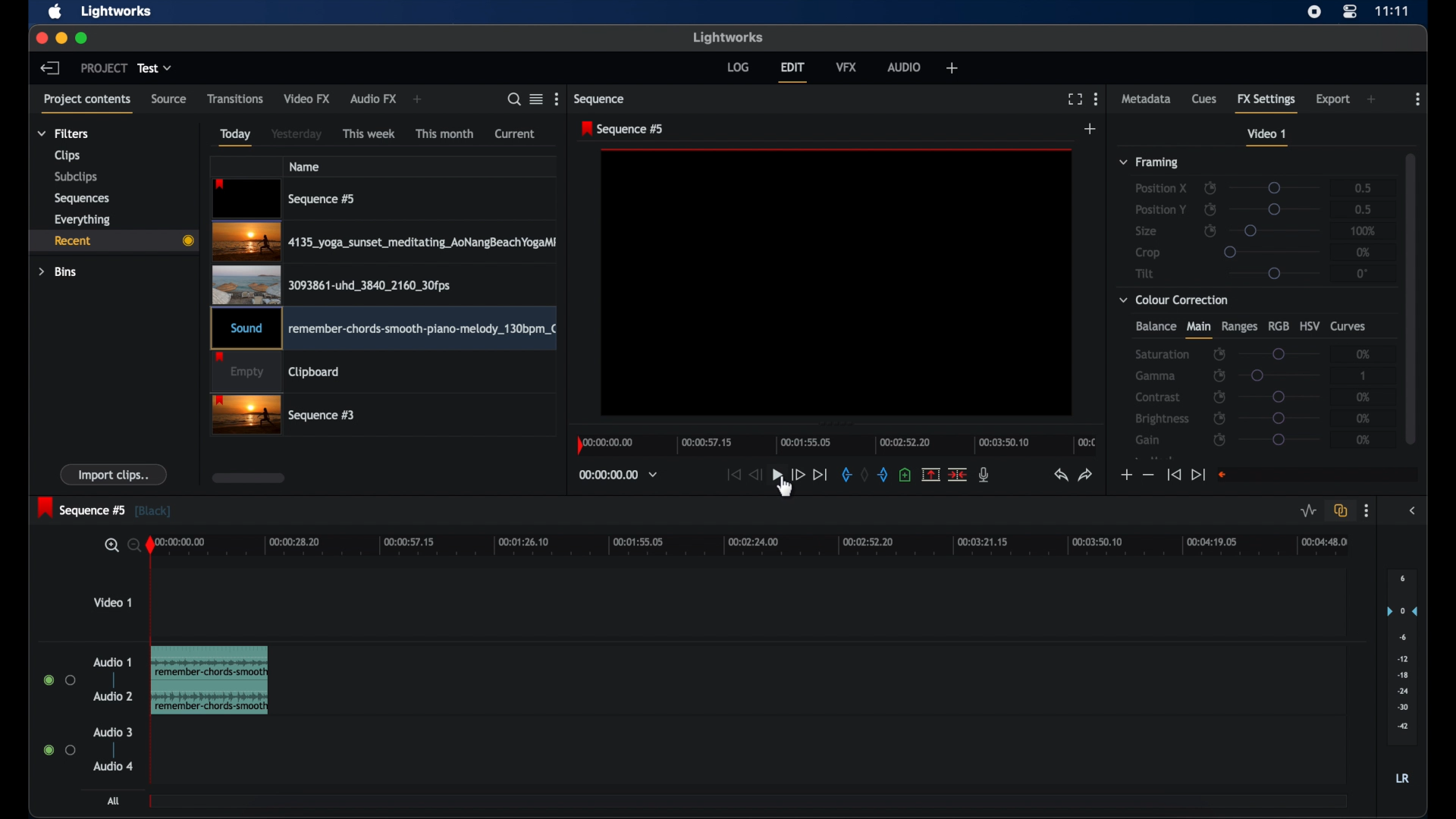  I want to click on contrast, so click(1157, 397).